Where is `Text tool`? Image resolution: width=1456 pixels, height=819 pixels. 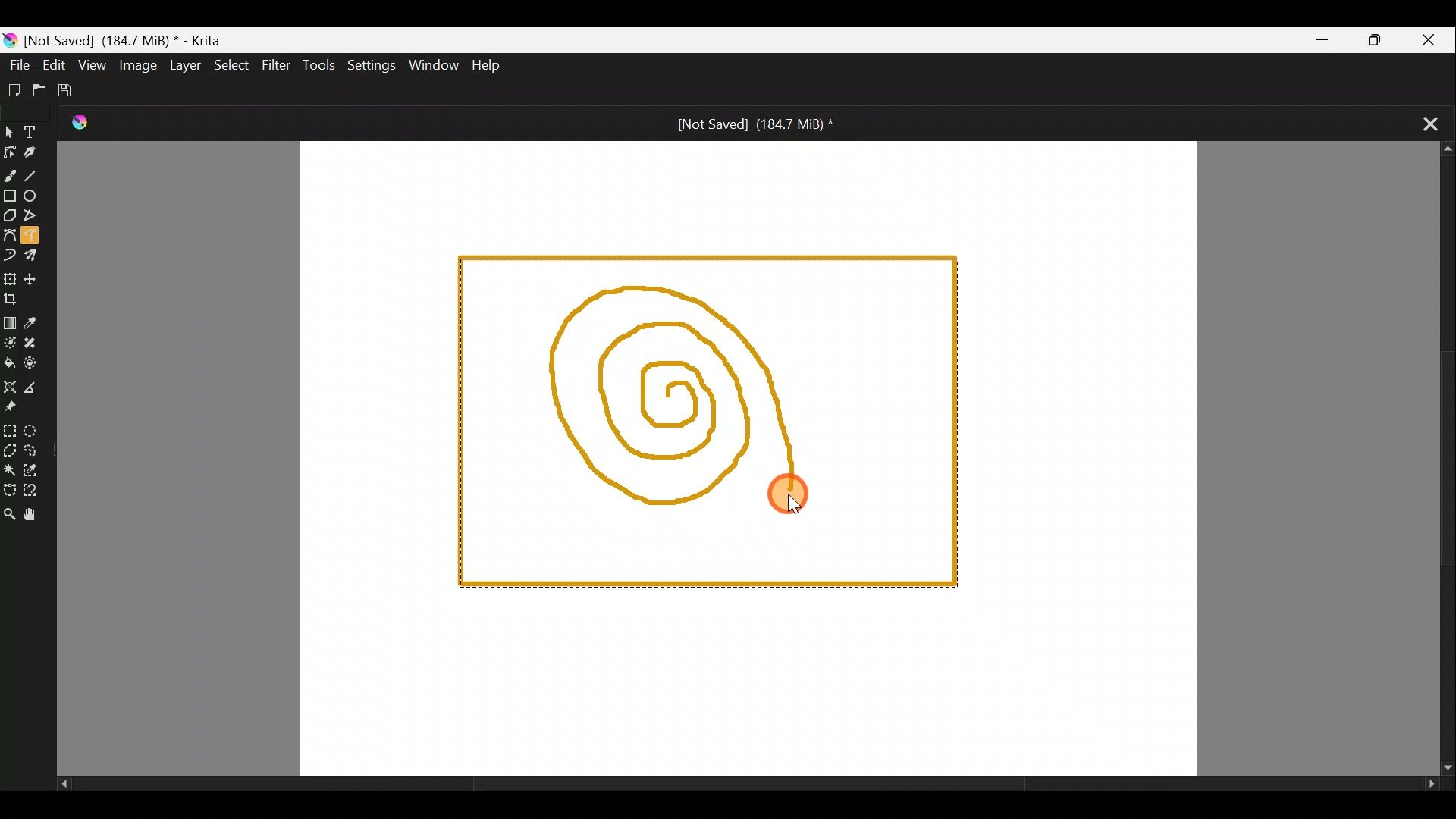 Text tool is located at coordinates (36, 130).